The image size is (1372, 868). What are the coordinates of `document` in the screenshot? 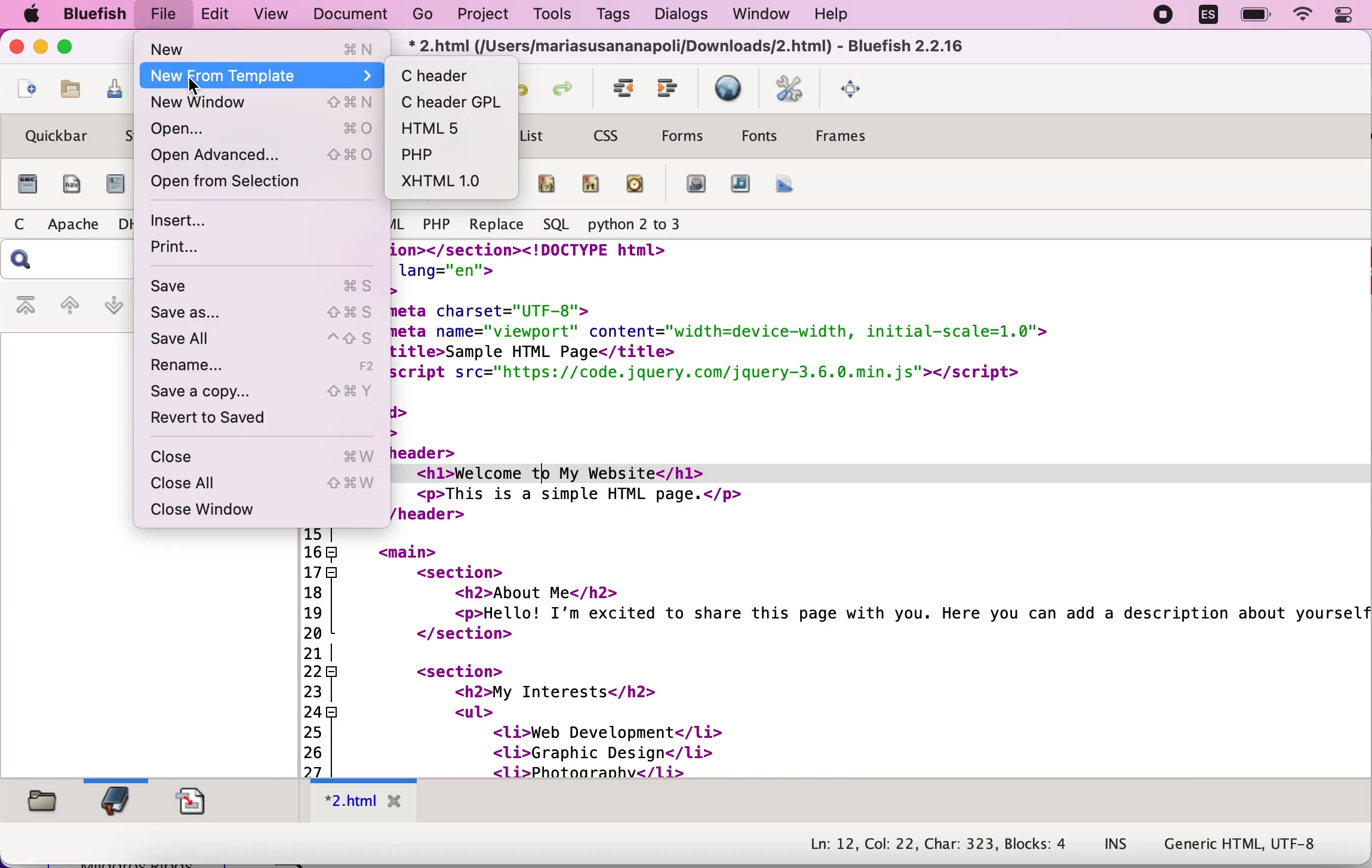 It's located at (348, 14).